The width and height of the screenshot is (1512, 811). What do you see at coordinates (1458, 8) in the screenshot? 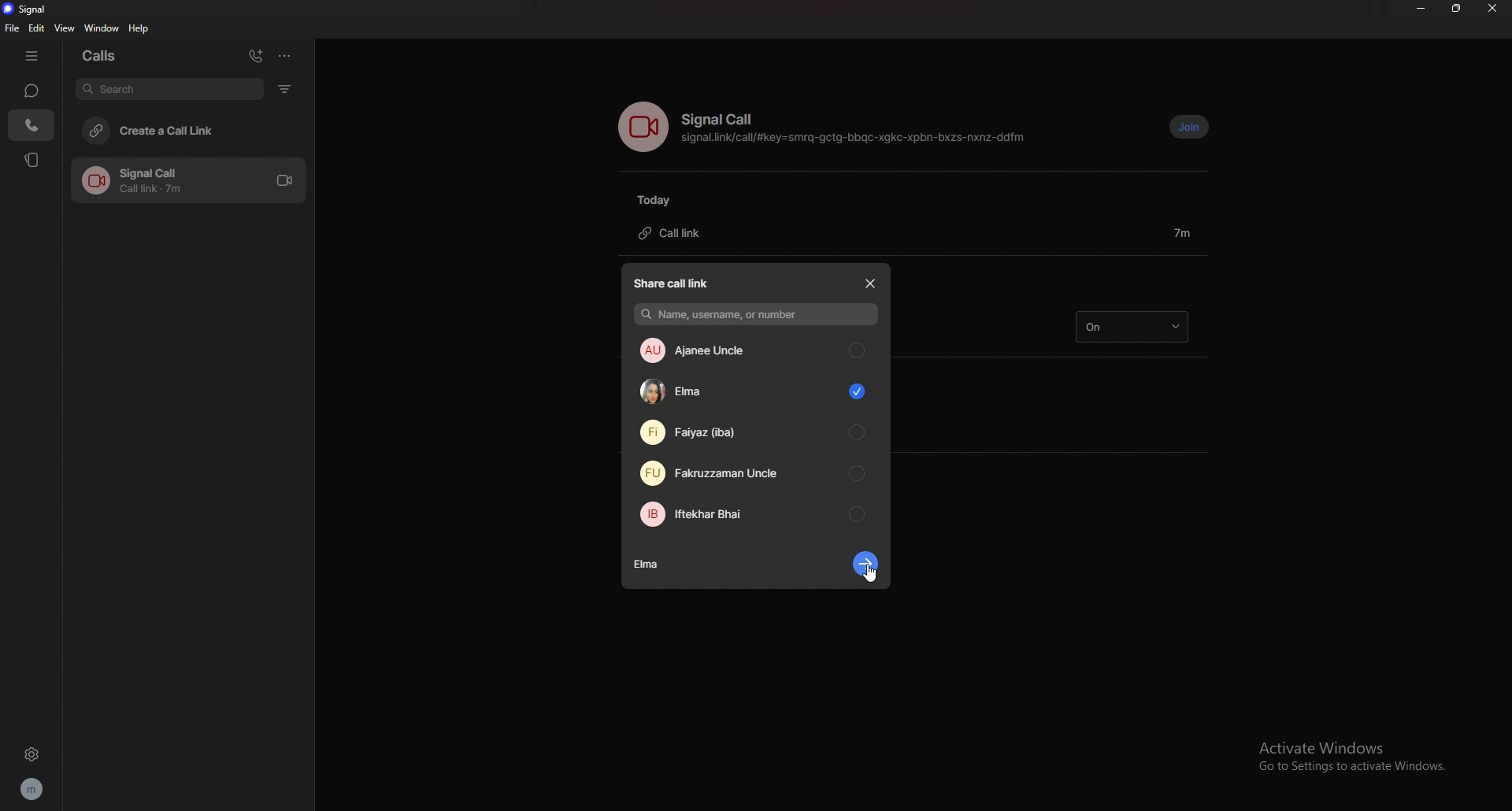
I see `resize` at bounding box center [1458, 8].